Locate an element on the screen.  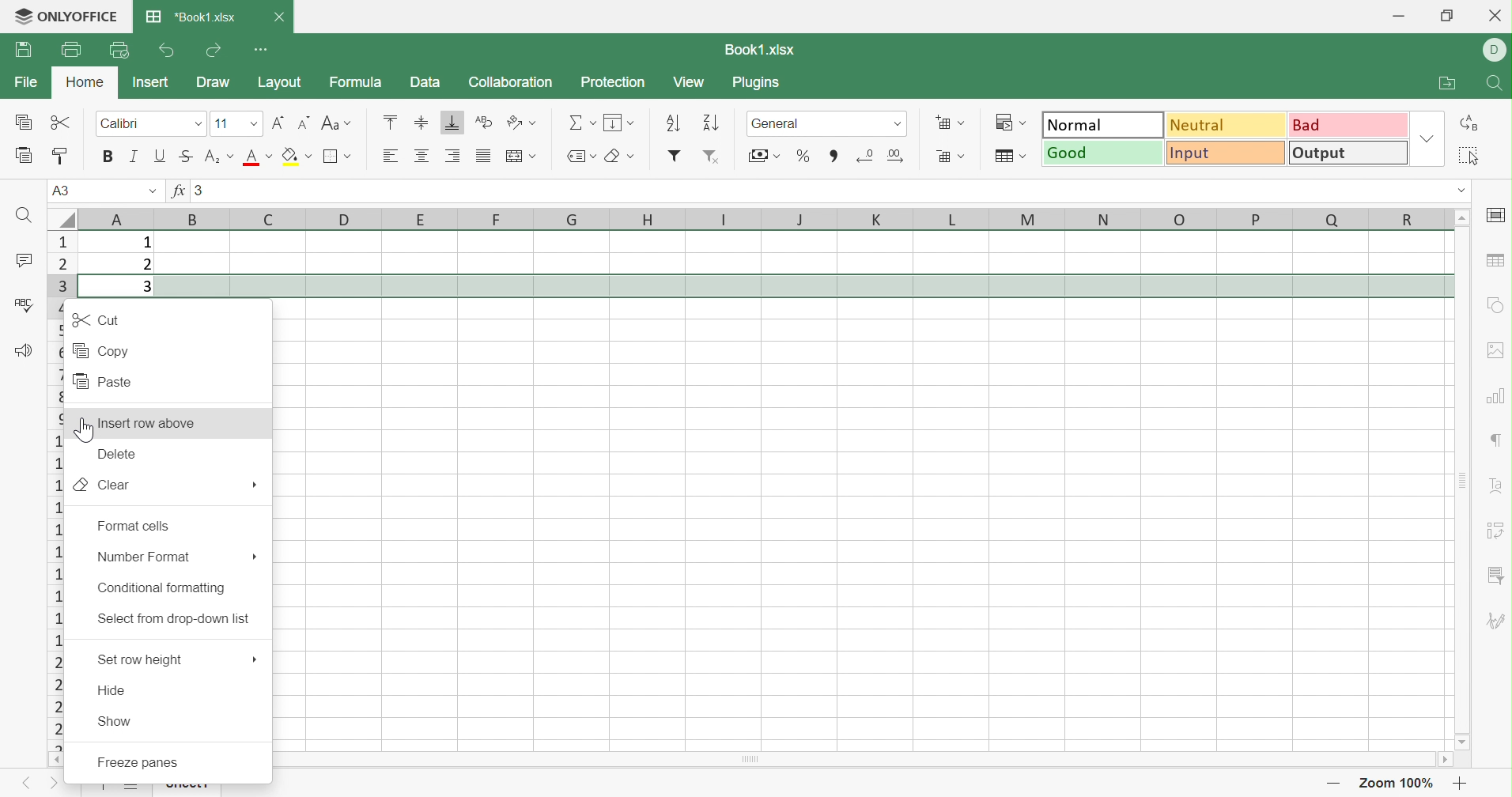
Drop Down is located at coordinates (592, 121).